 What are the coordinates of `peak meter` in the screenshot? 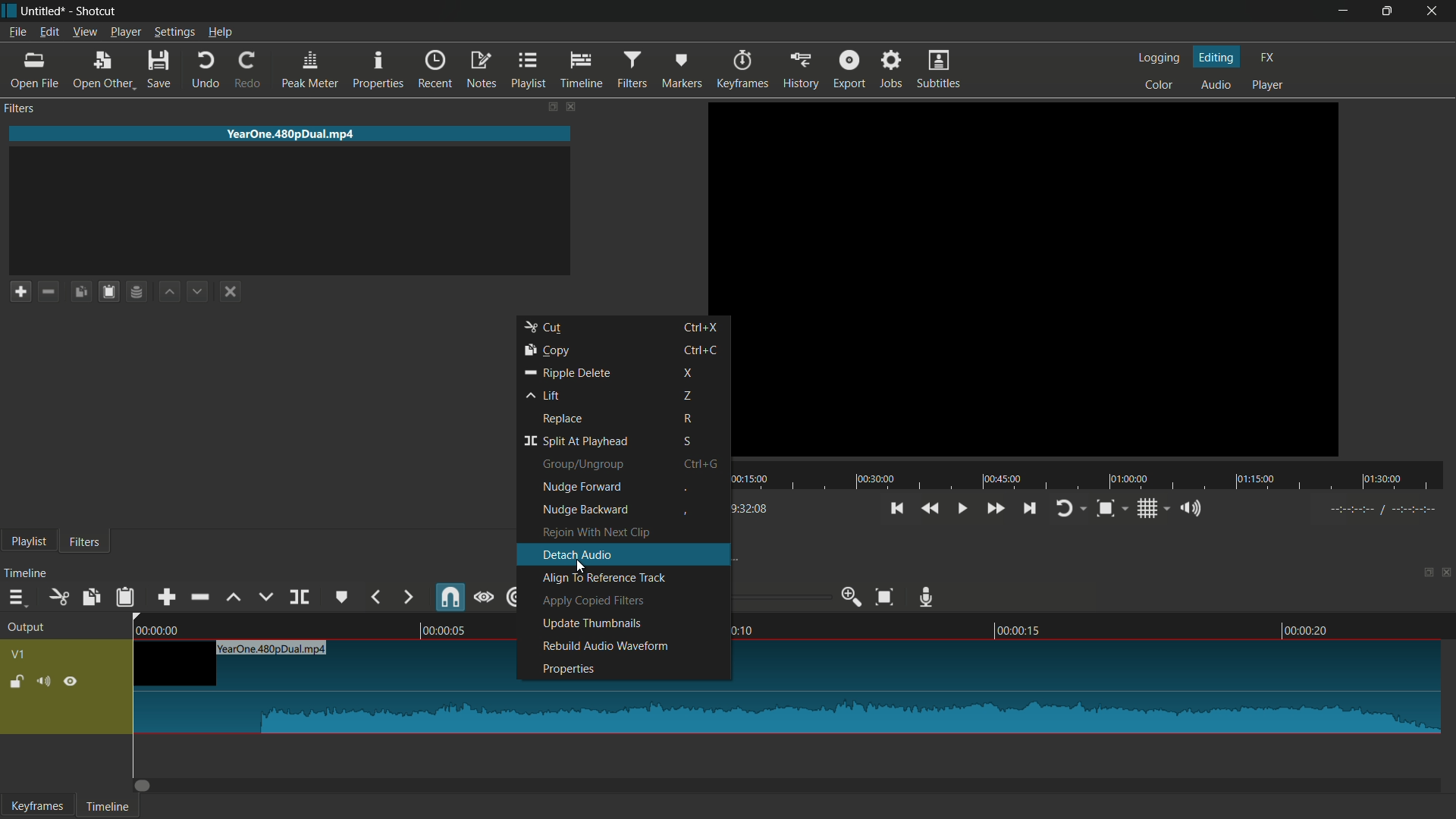 It's located at (310, 70).